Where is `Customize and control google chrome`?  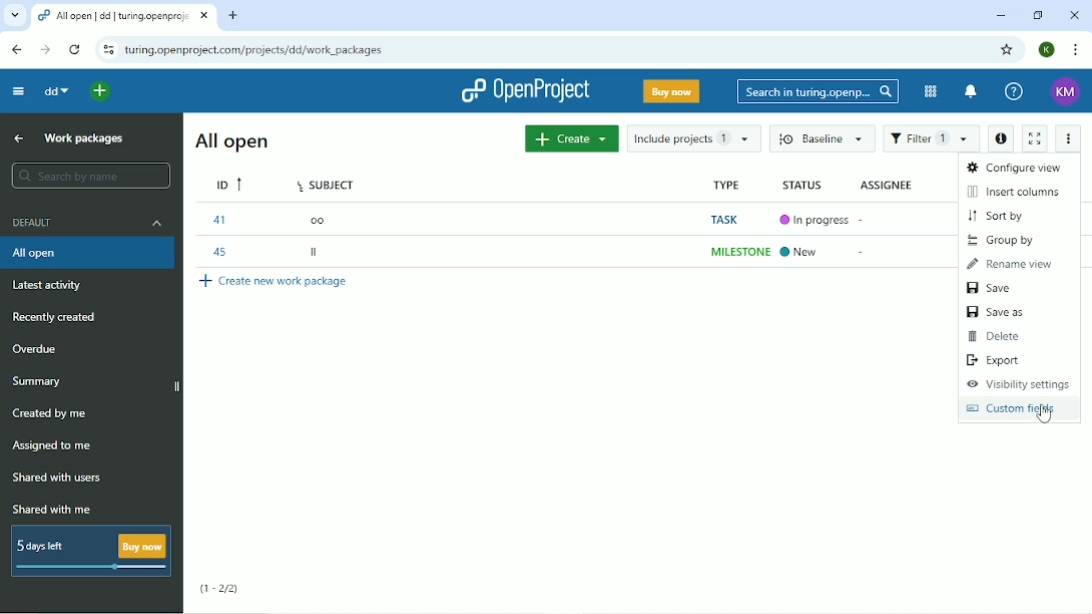 Customize and control google chrome is located at coordinates (1074, 50).